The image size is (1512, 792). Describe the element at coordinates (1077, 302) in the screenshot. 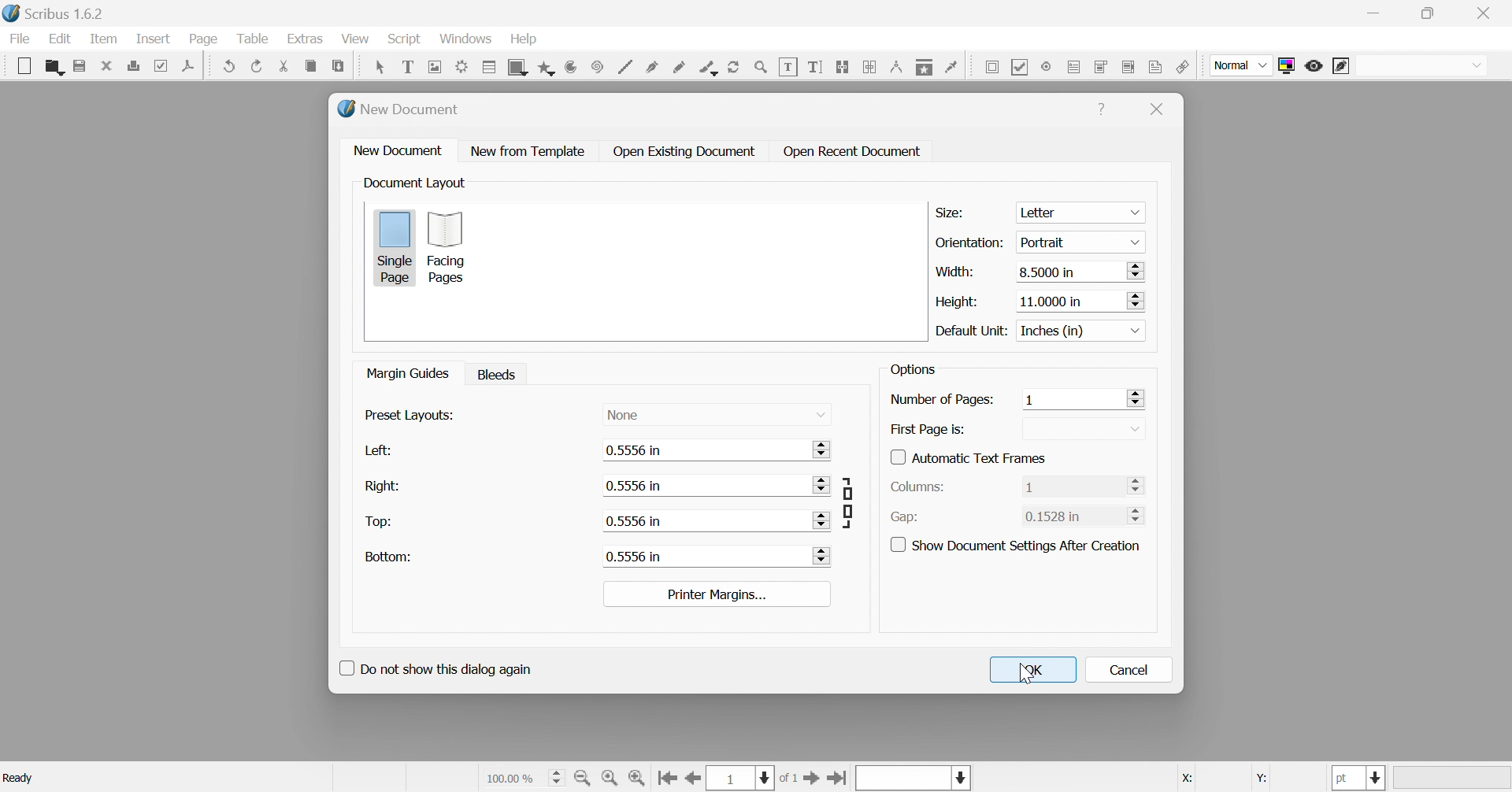

I see `11.000 in` at that location.